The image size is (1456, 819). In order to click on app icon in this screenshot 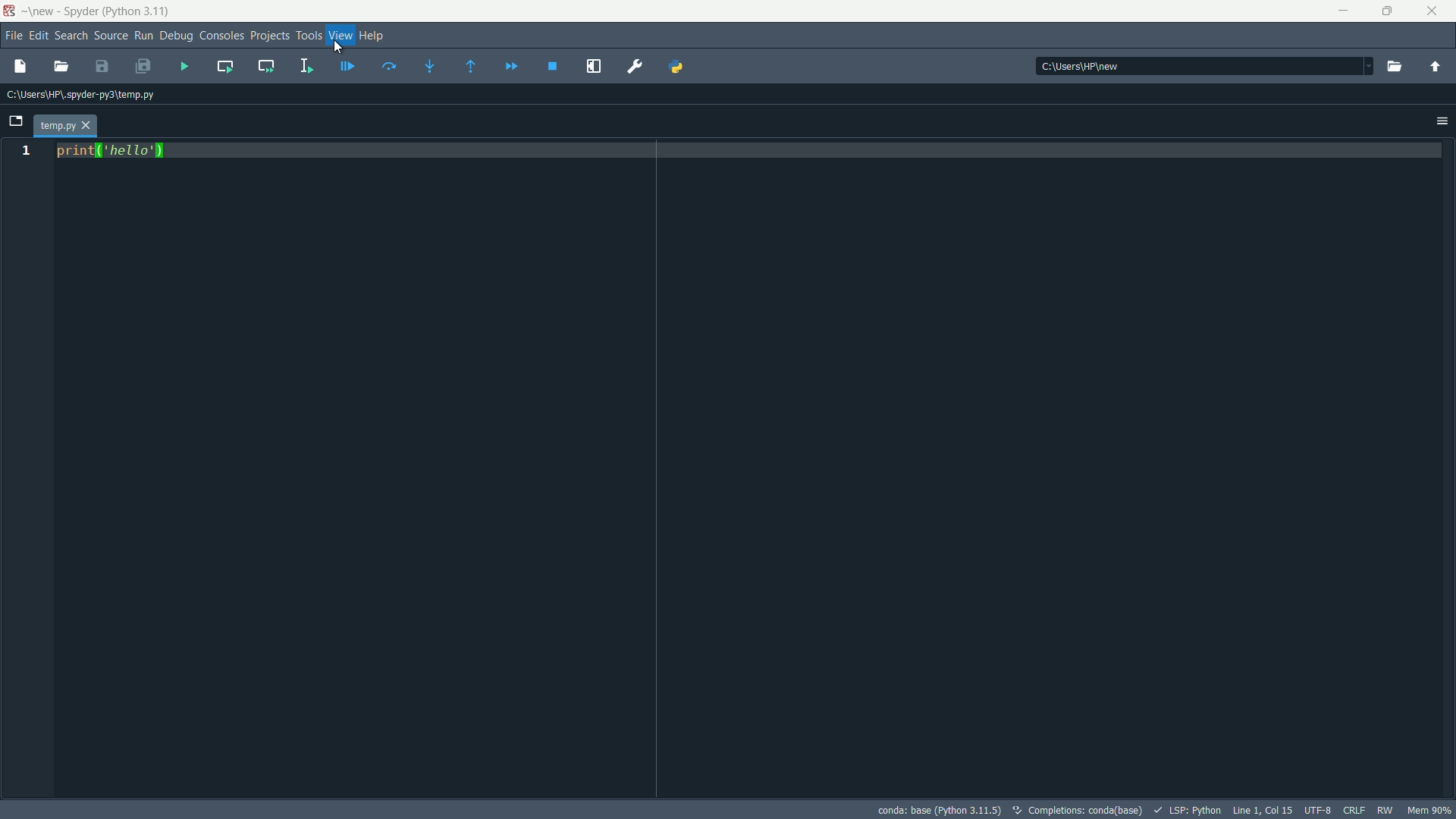, I will do `click(9, 11)`.